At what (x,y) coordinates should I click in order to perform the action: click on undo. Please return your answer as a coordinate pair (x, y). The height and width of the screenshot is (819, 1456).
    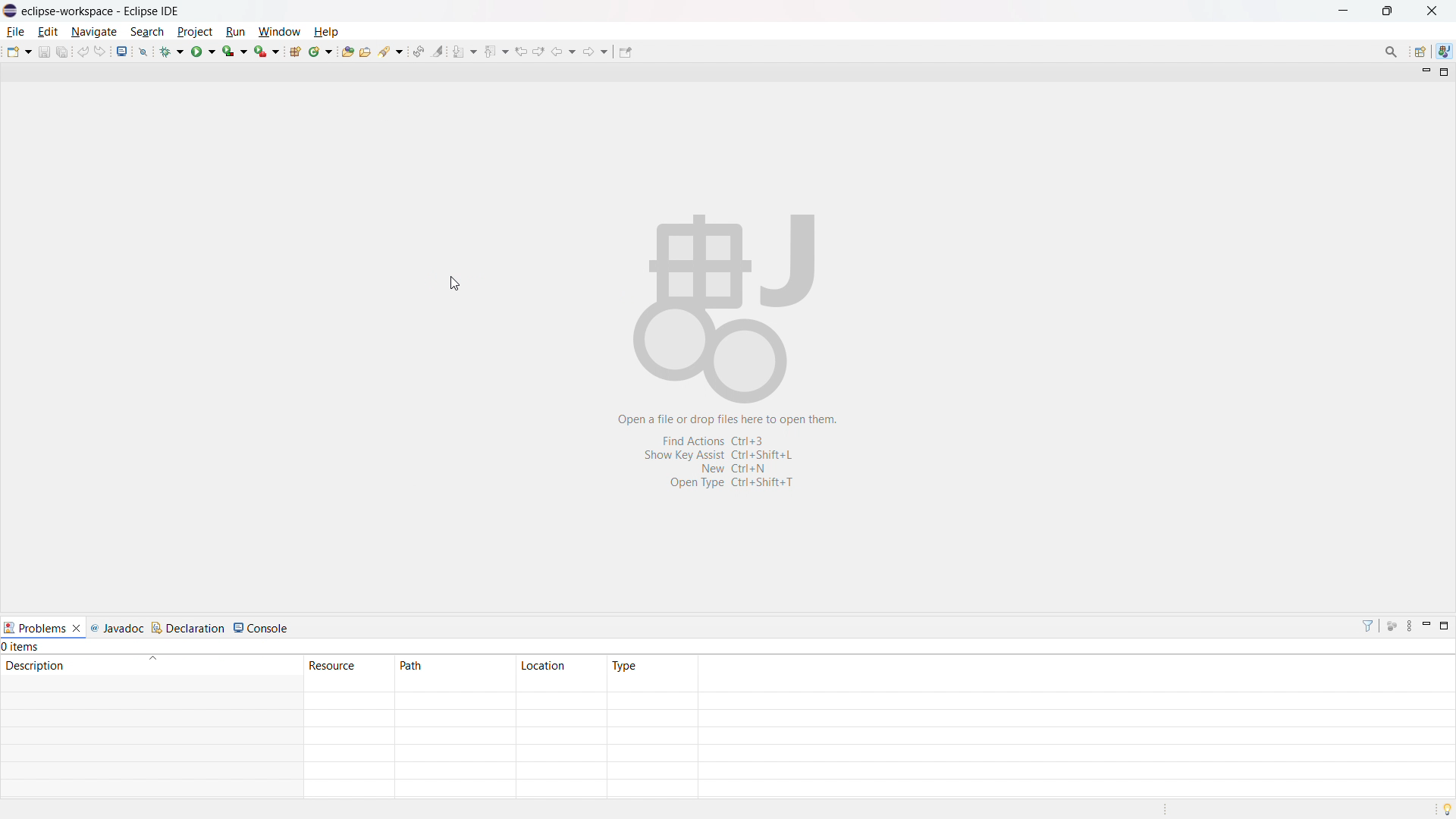
    Looking at the image, I should click on (82, 52).